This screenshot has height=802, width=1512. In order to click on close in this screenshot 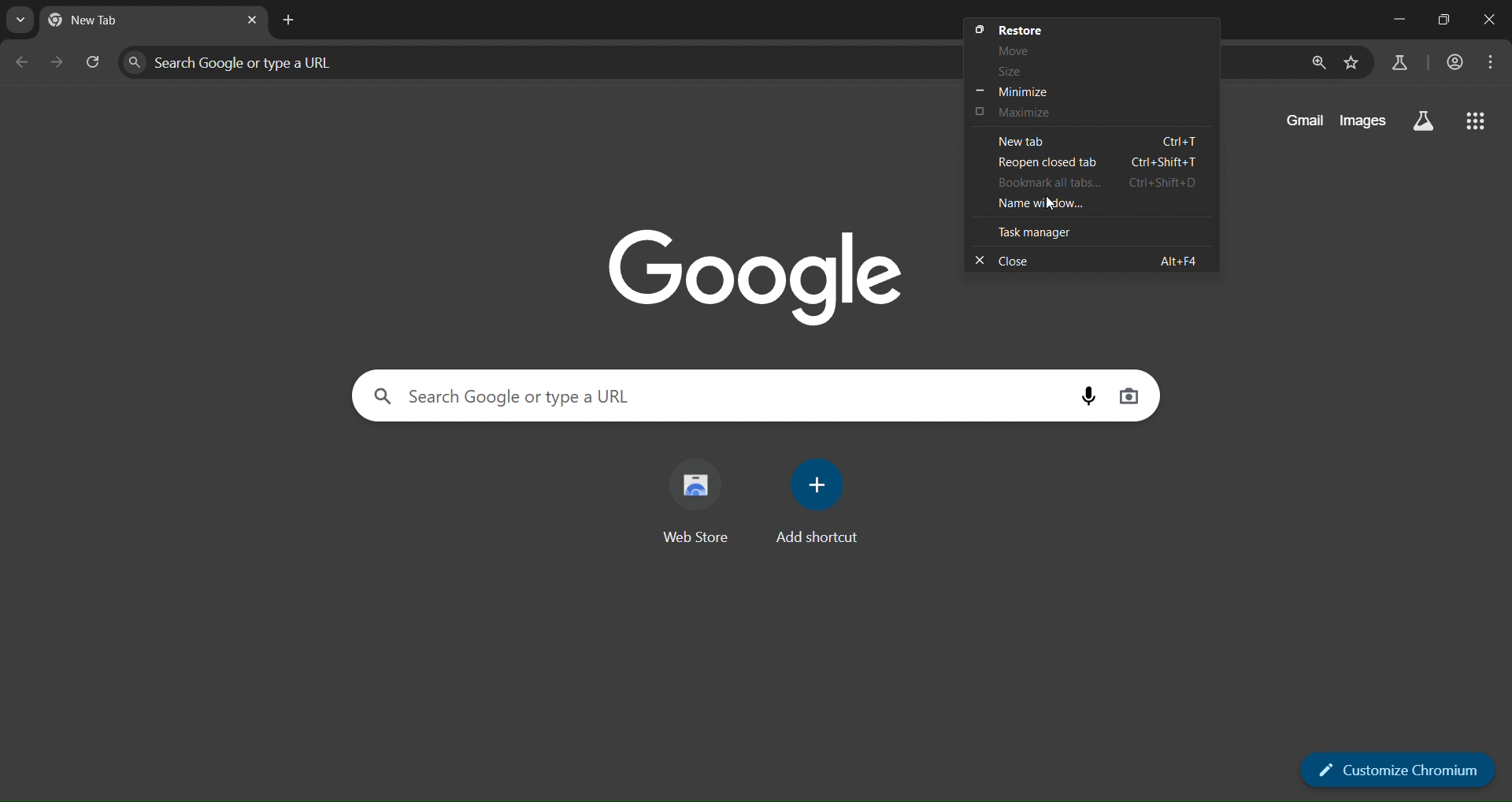, I will do `click(1491, 19)`.